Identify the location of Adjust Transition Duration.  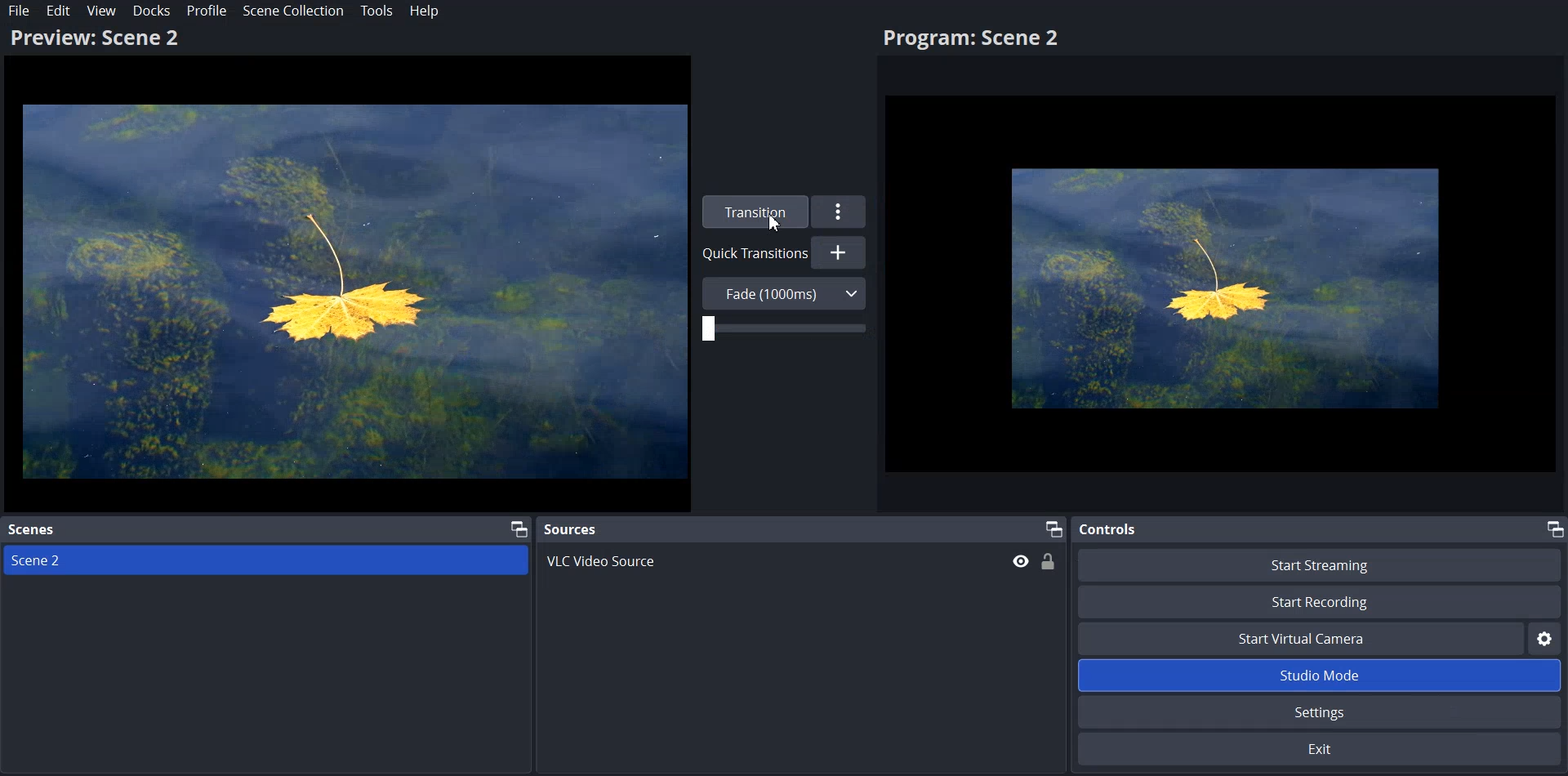
(784, 328).